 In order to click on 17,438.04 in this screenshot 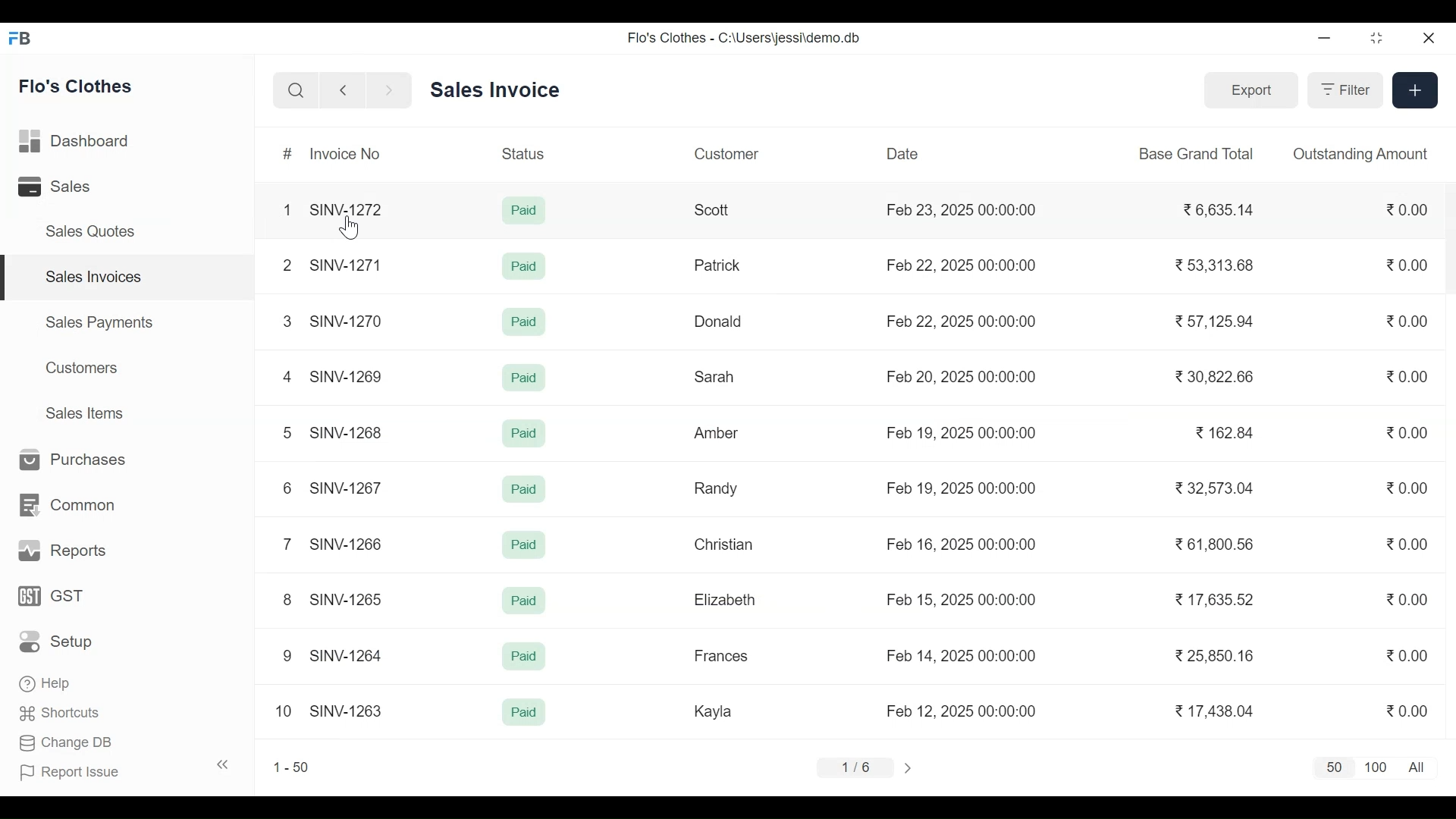, I will do `click(1216, 711)`.